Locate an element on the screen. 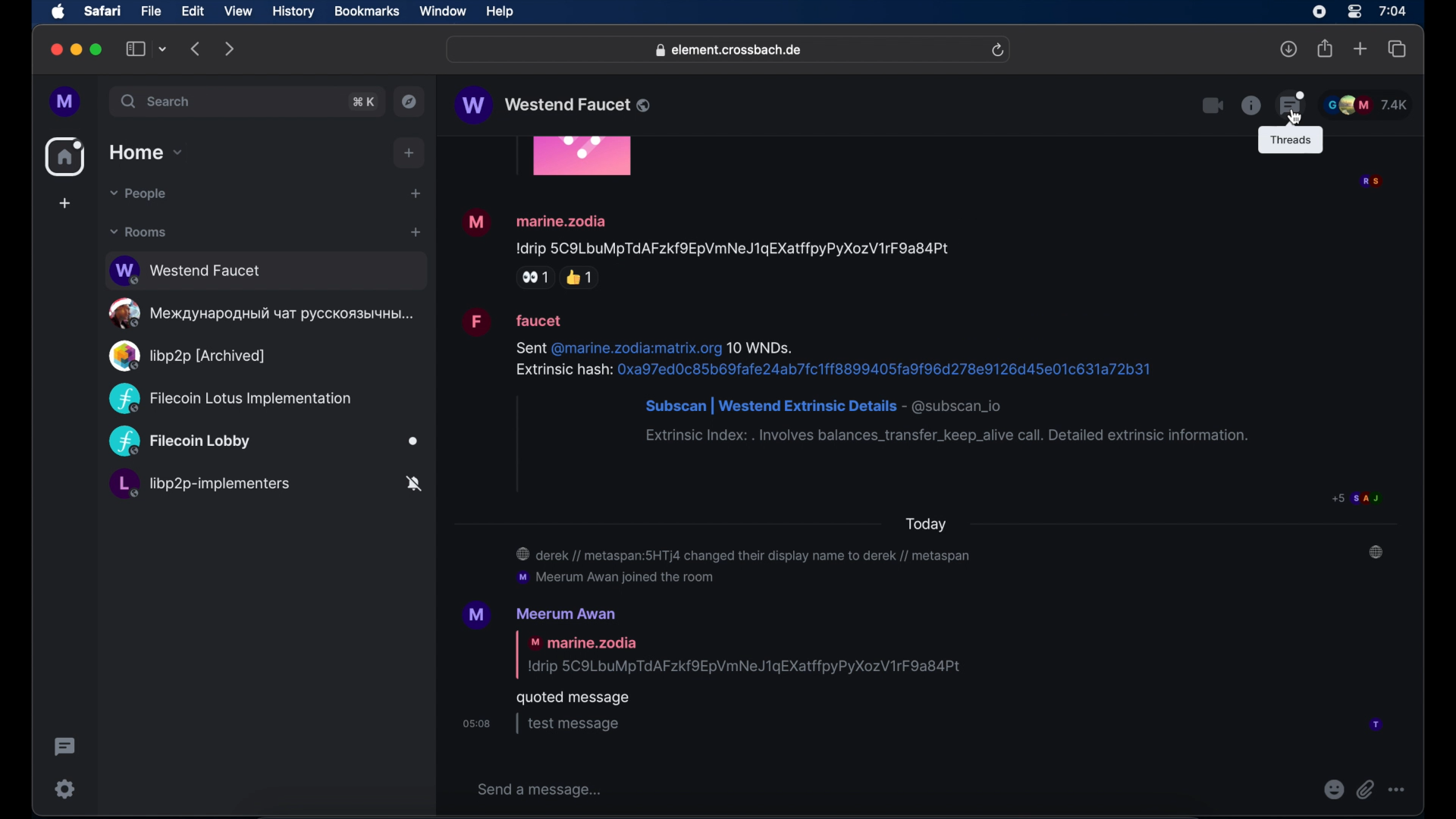 This screenshot has width=1456, height=819. L, libp2p-implementers is located at coordinates (212, 488).